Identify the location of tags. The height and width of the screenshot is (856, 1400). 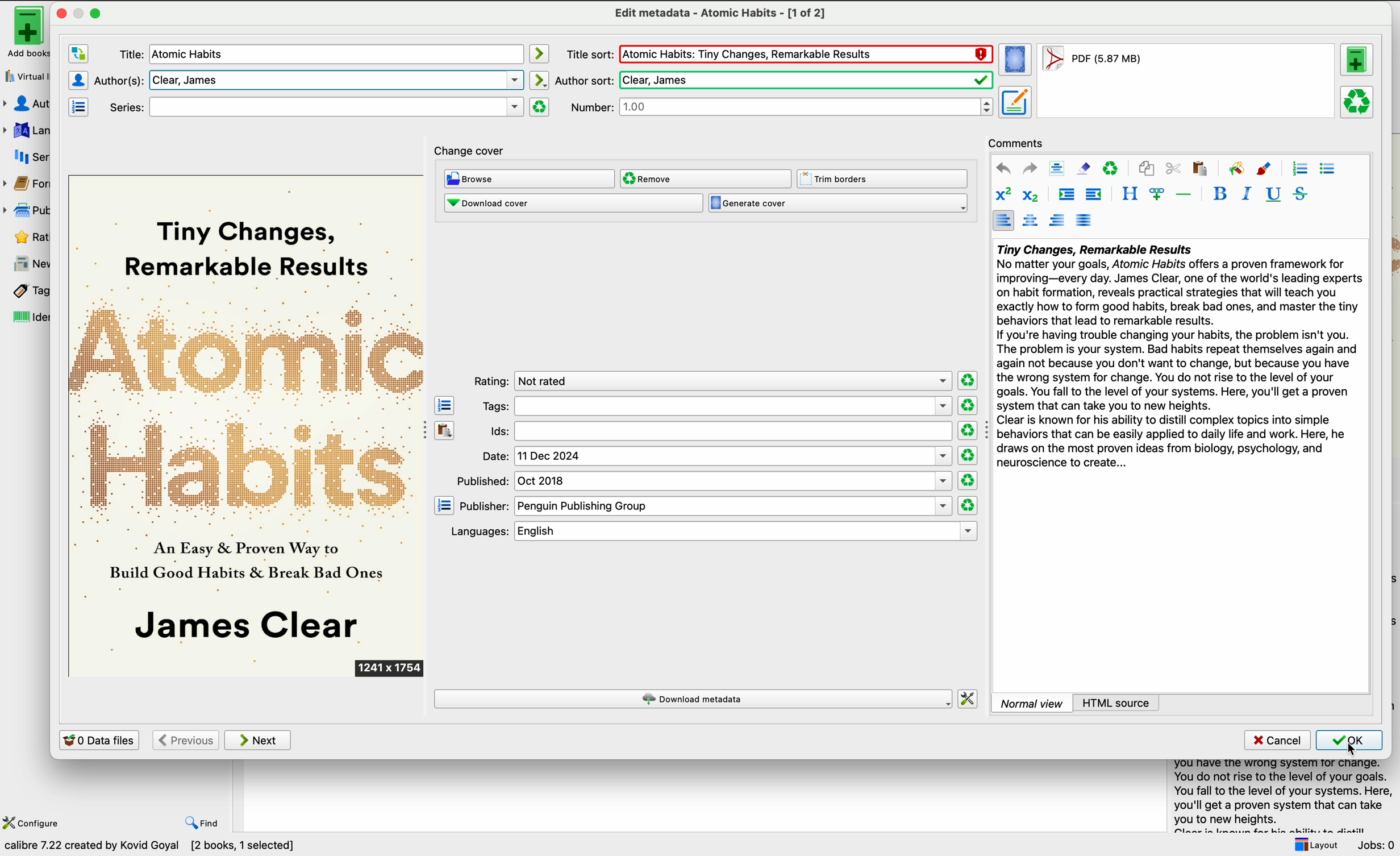
(715, 406).